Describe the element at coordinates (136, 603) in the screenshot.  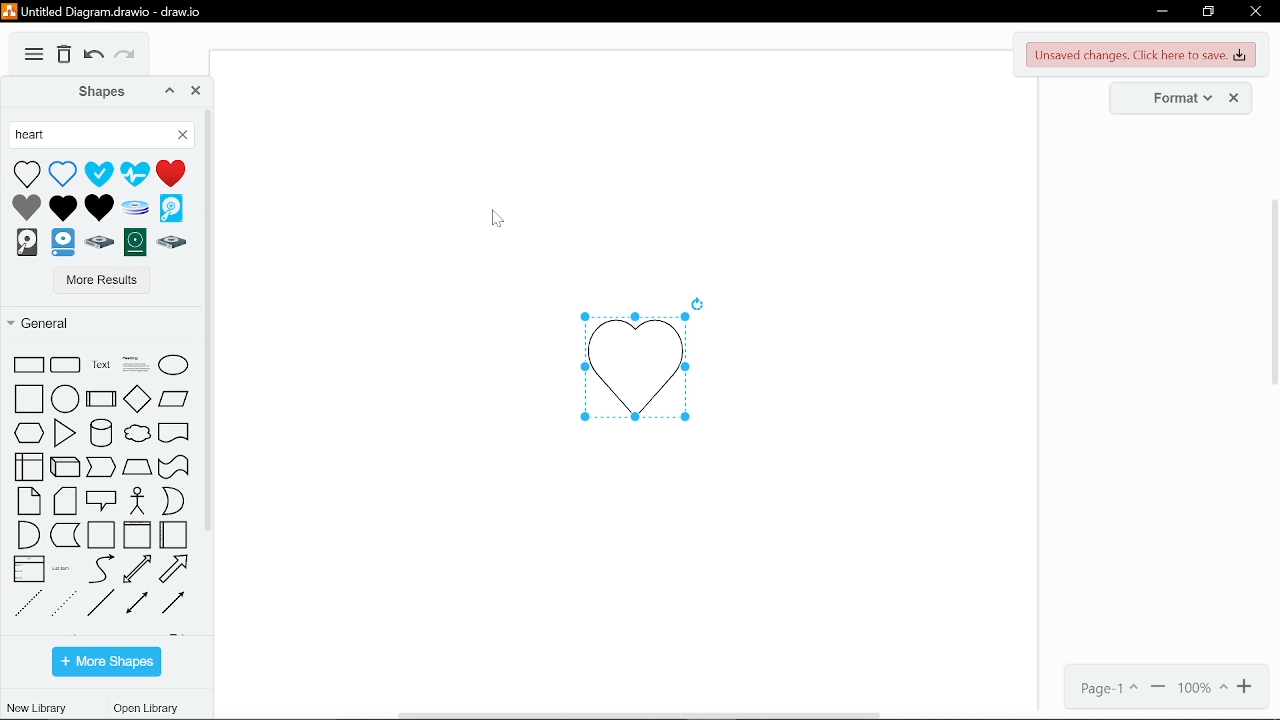
I see `bidirectional connector` at that location.